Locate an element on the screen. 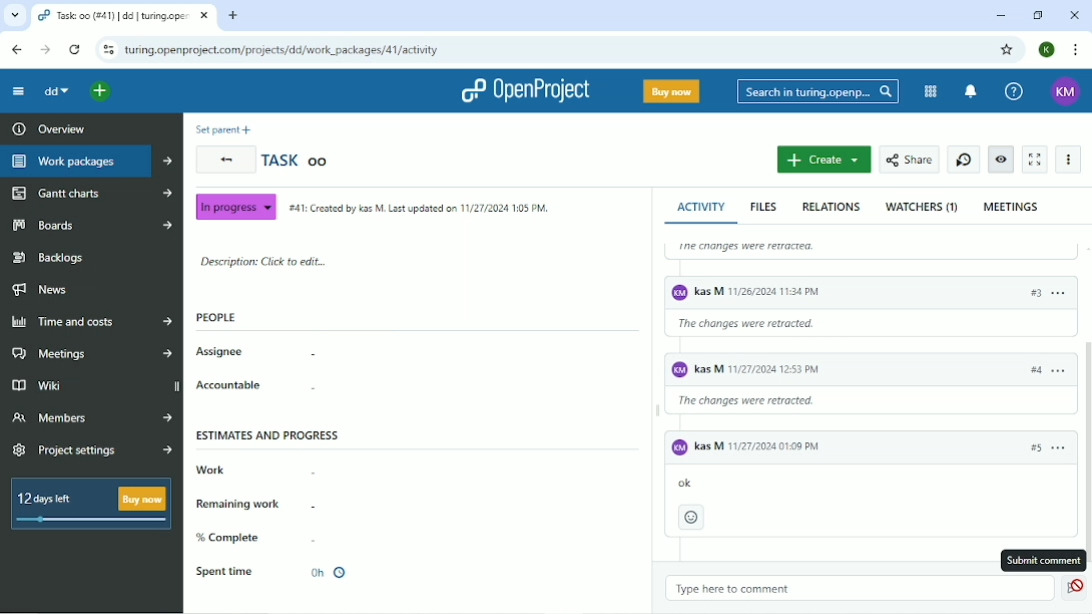  options is located at coordinates (1062, 370).